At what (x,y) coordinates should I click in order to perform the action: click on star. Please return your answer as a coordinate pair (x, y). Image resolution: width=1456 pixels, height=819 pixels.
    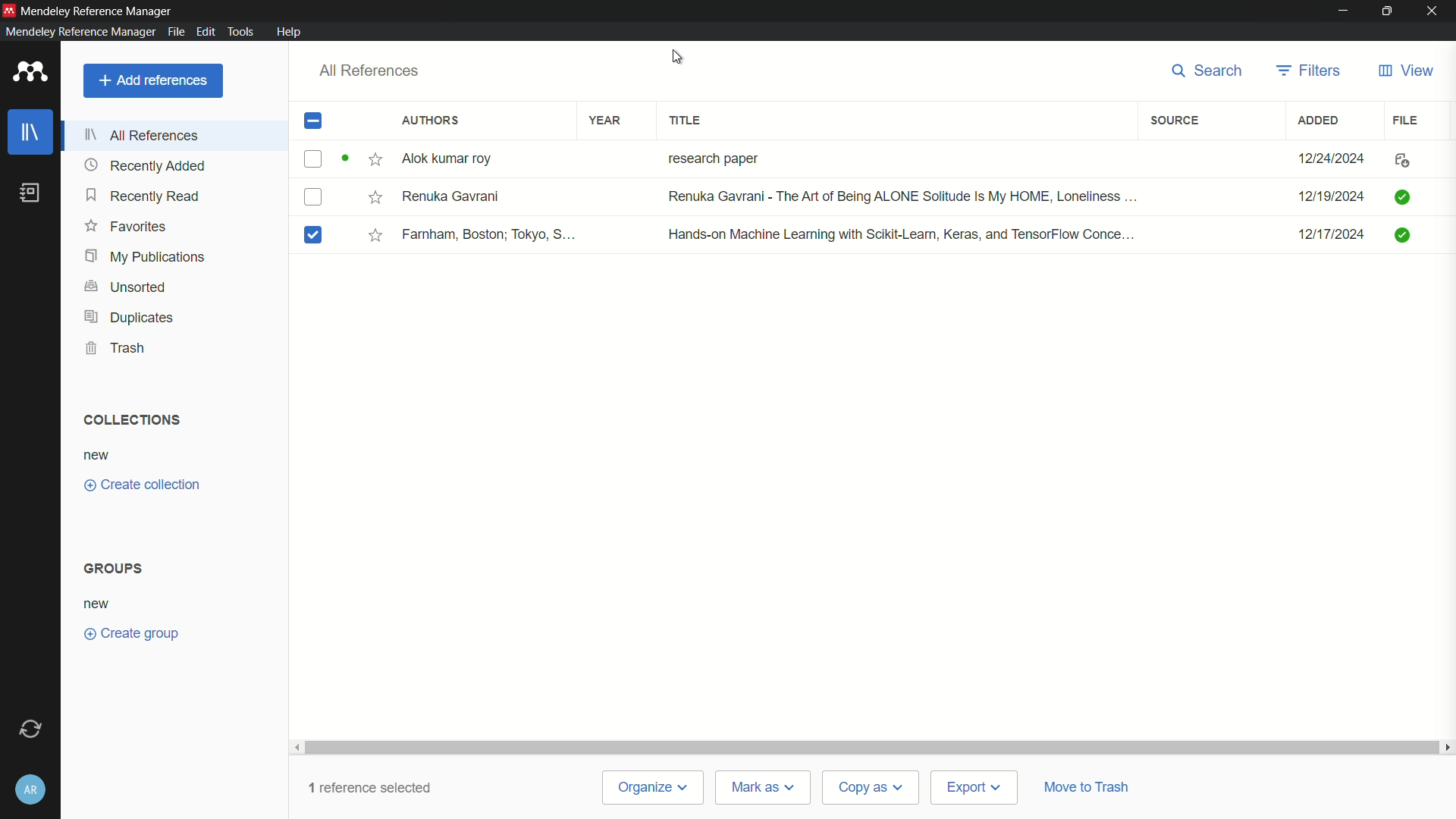
    Looking at the image, I should click on (372, 237).